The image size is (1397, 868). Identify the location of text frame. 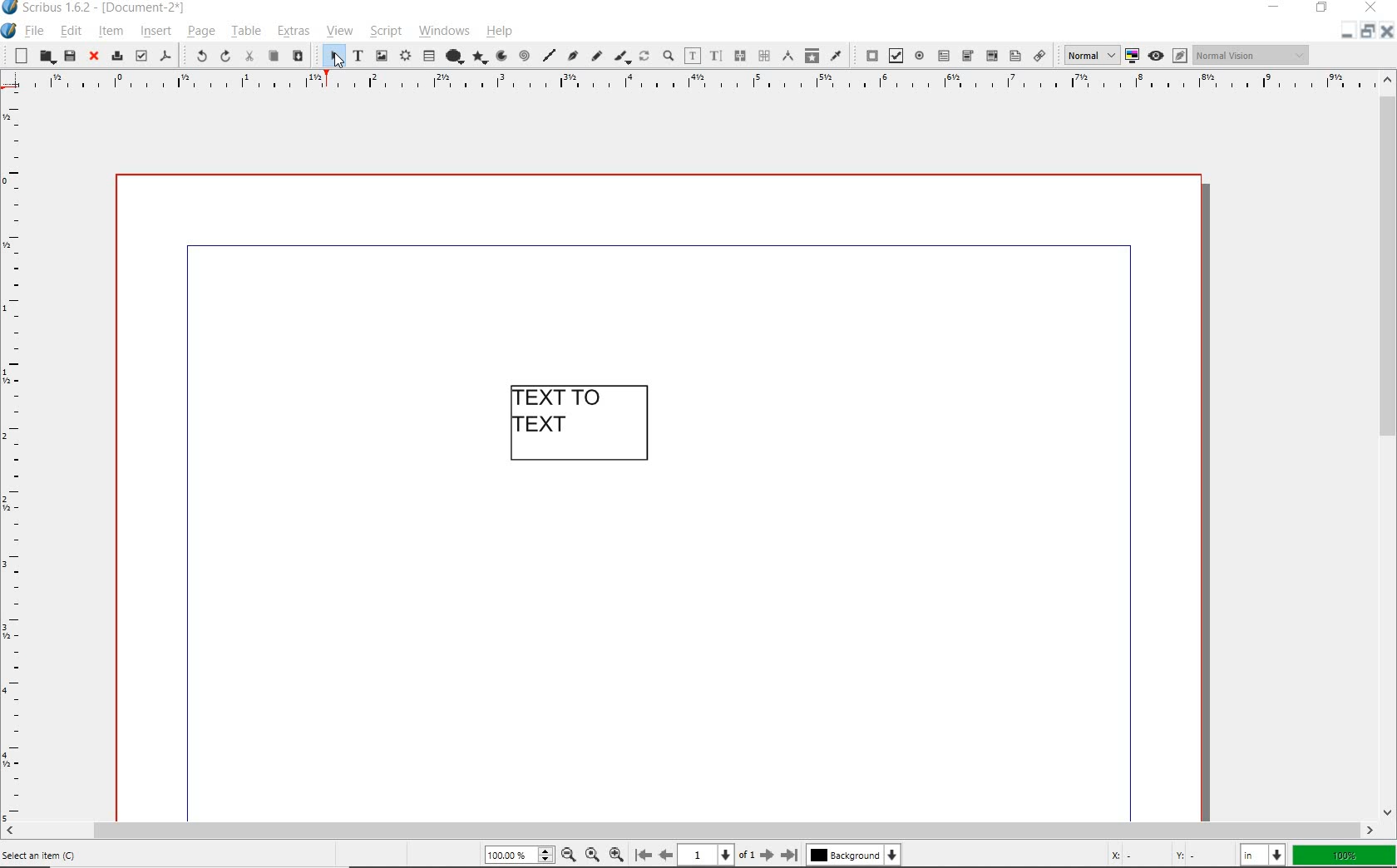
(358, 57).